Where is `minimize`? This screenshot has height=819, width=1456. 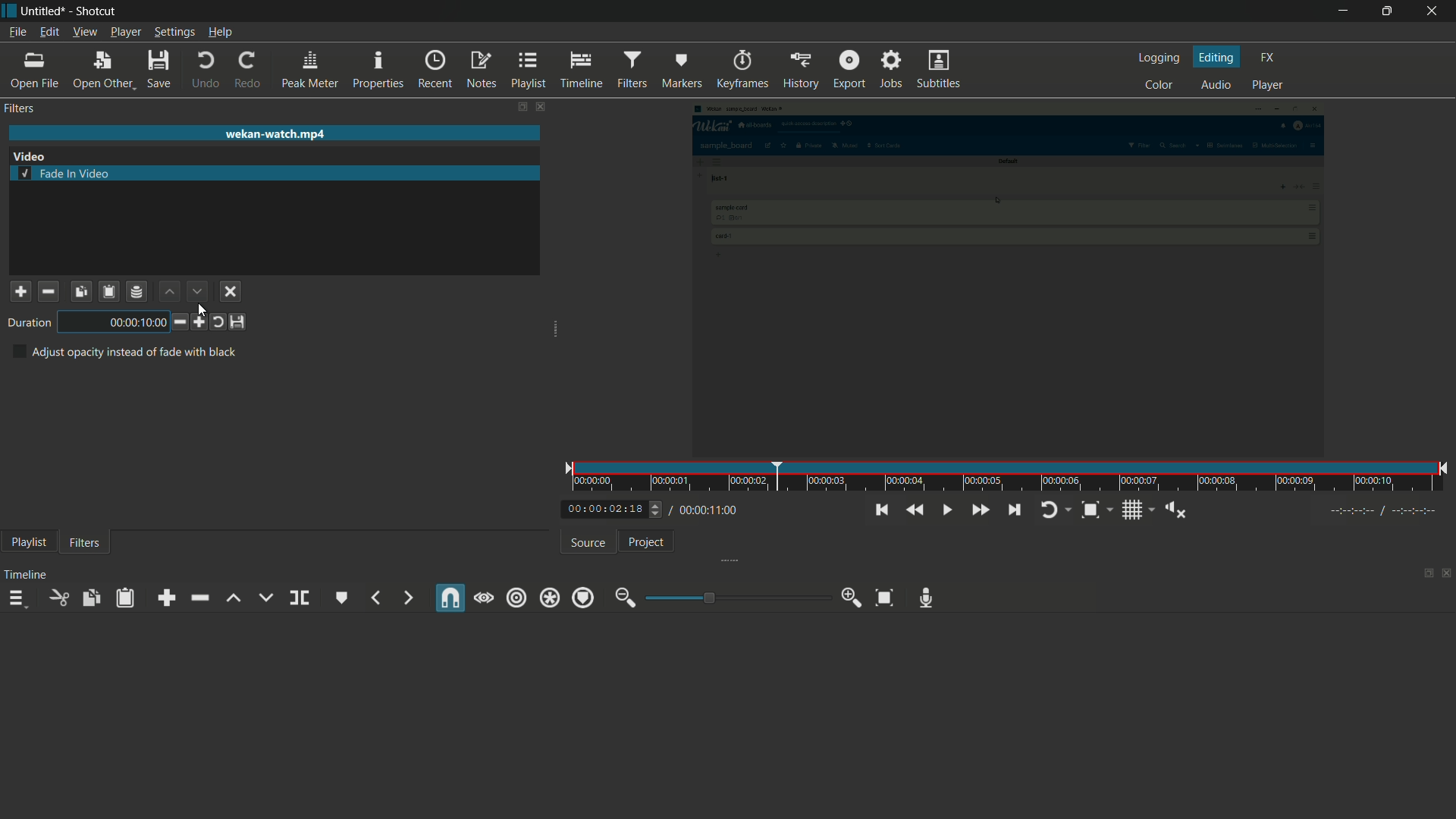
minimize is located at coordinates (1346, 11).